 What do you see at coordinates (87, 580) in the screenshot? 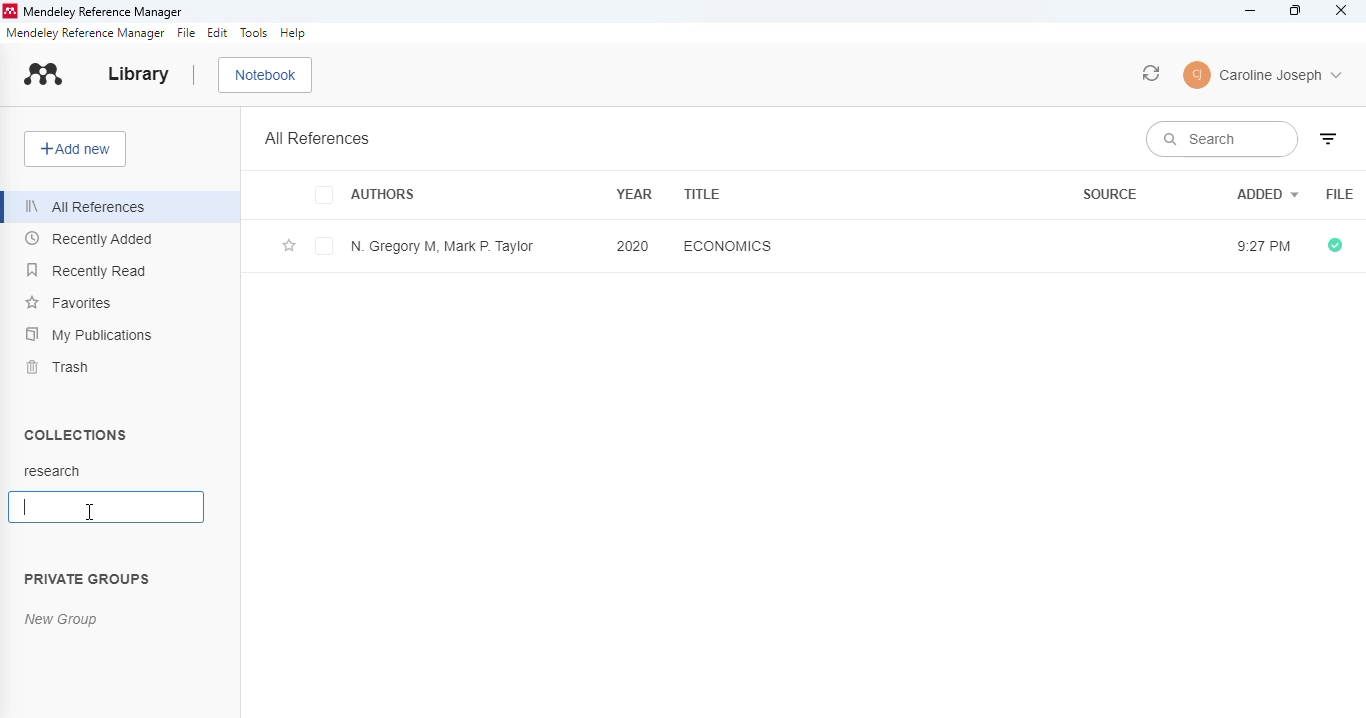
I see `private groups` at bounding box center [87, 580].